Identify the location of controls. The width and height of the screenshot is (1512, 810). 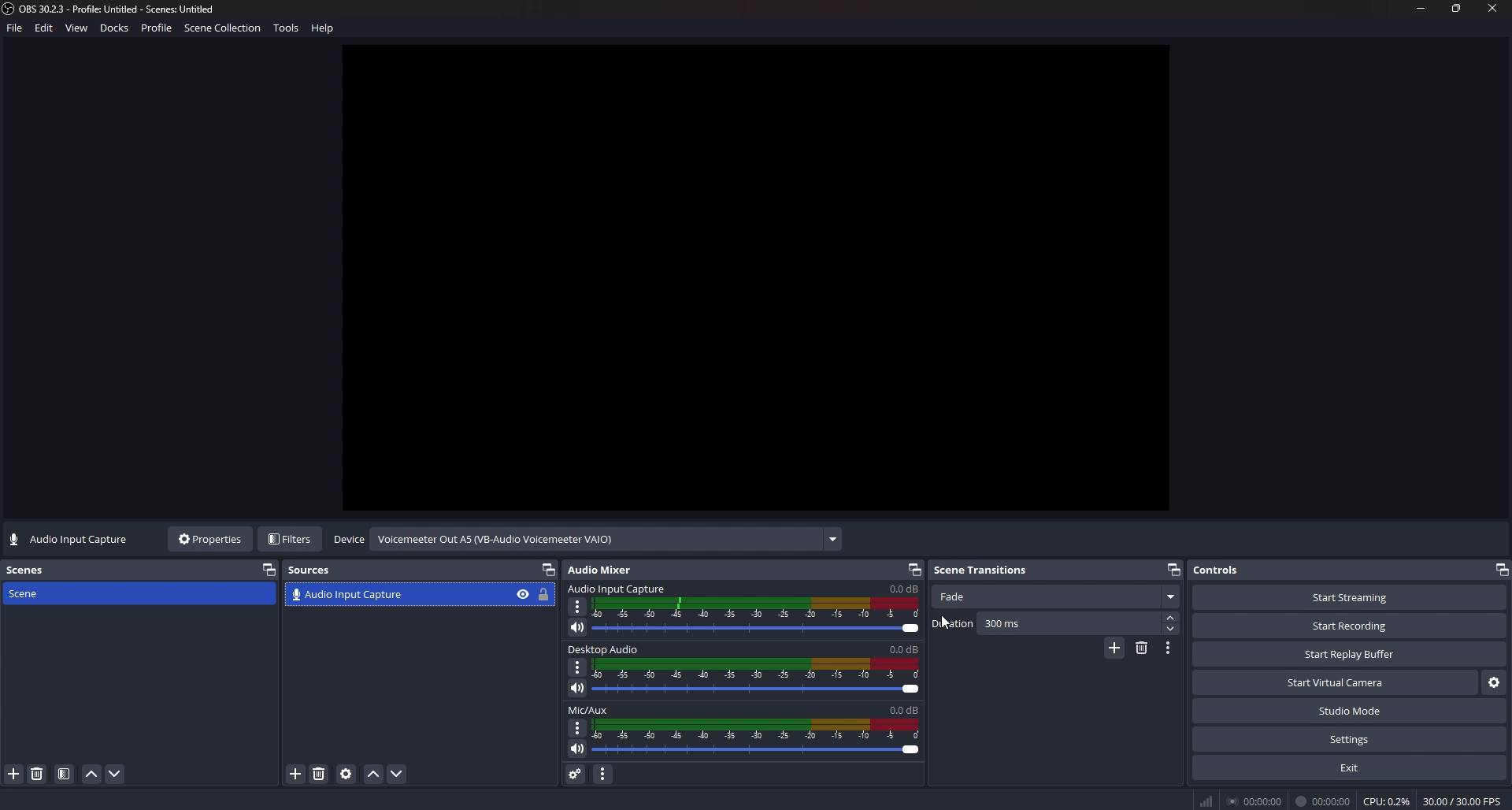
(1231, 570).